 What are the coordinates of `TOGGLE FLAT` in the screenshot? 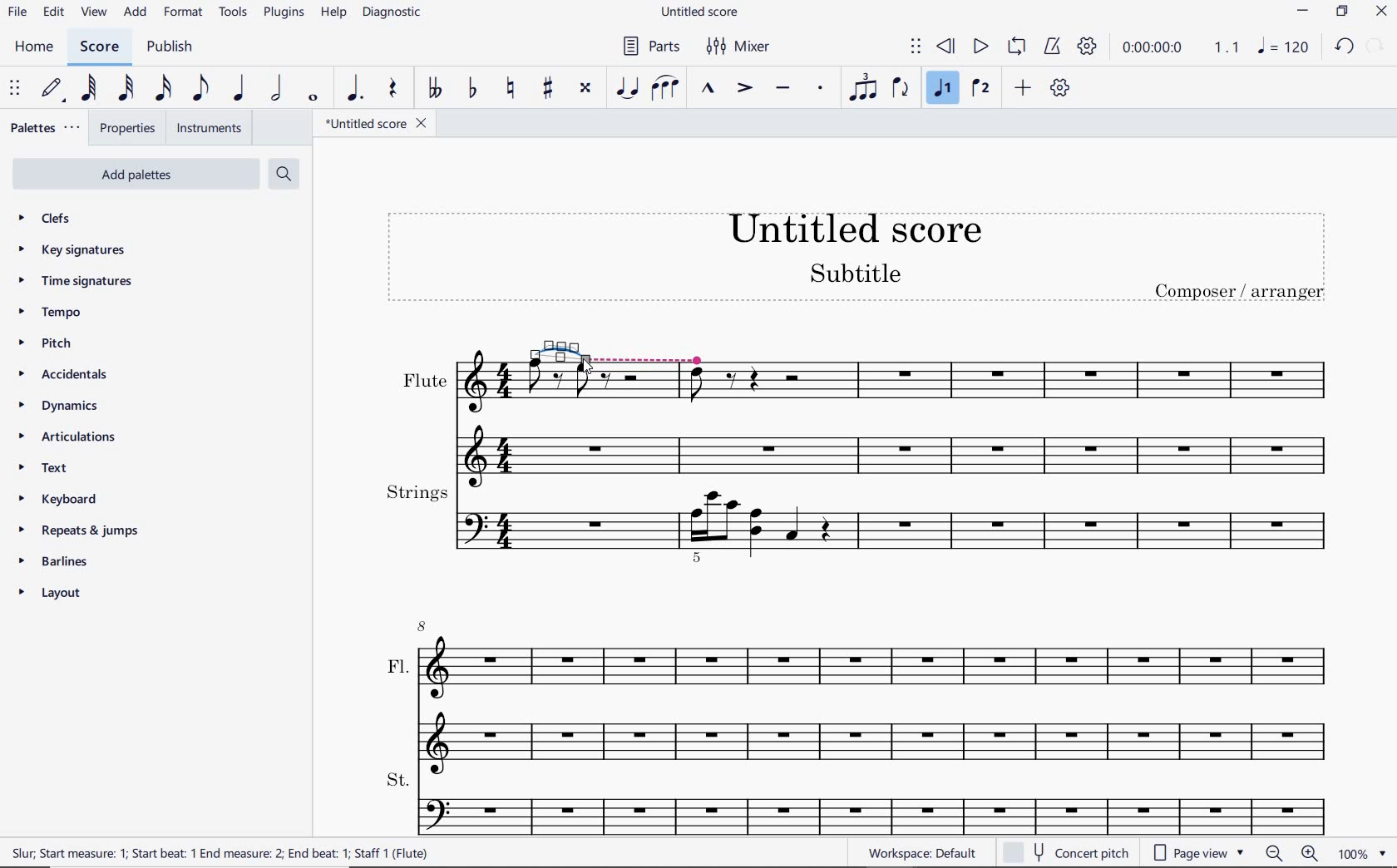 It's located at (471, 91).